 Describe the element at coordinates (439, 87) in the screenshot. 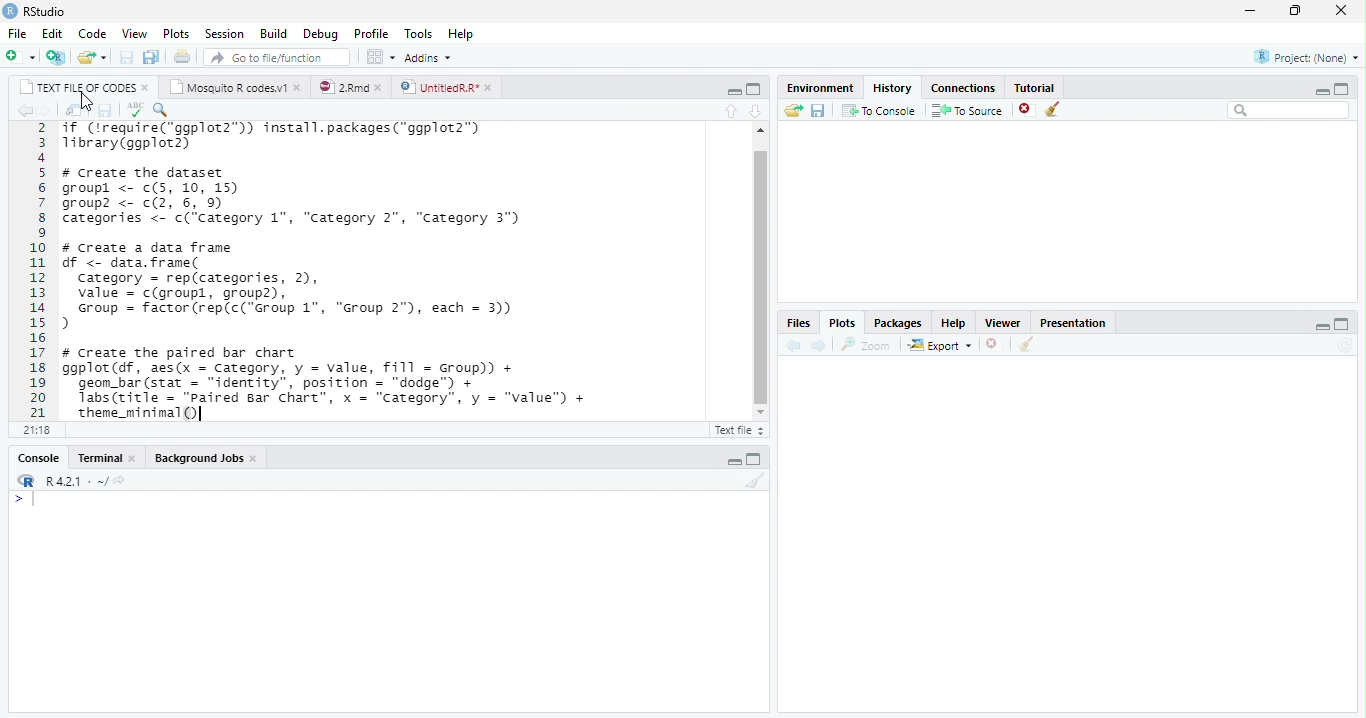

I see `UntitledR.R*` at that location.